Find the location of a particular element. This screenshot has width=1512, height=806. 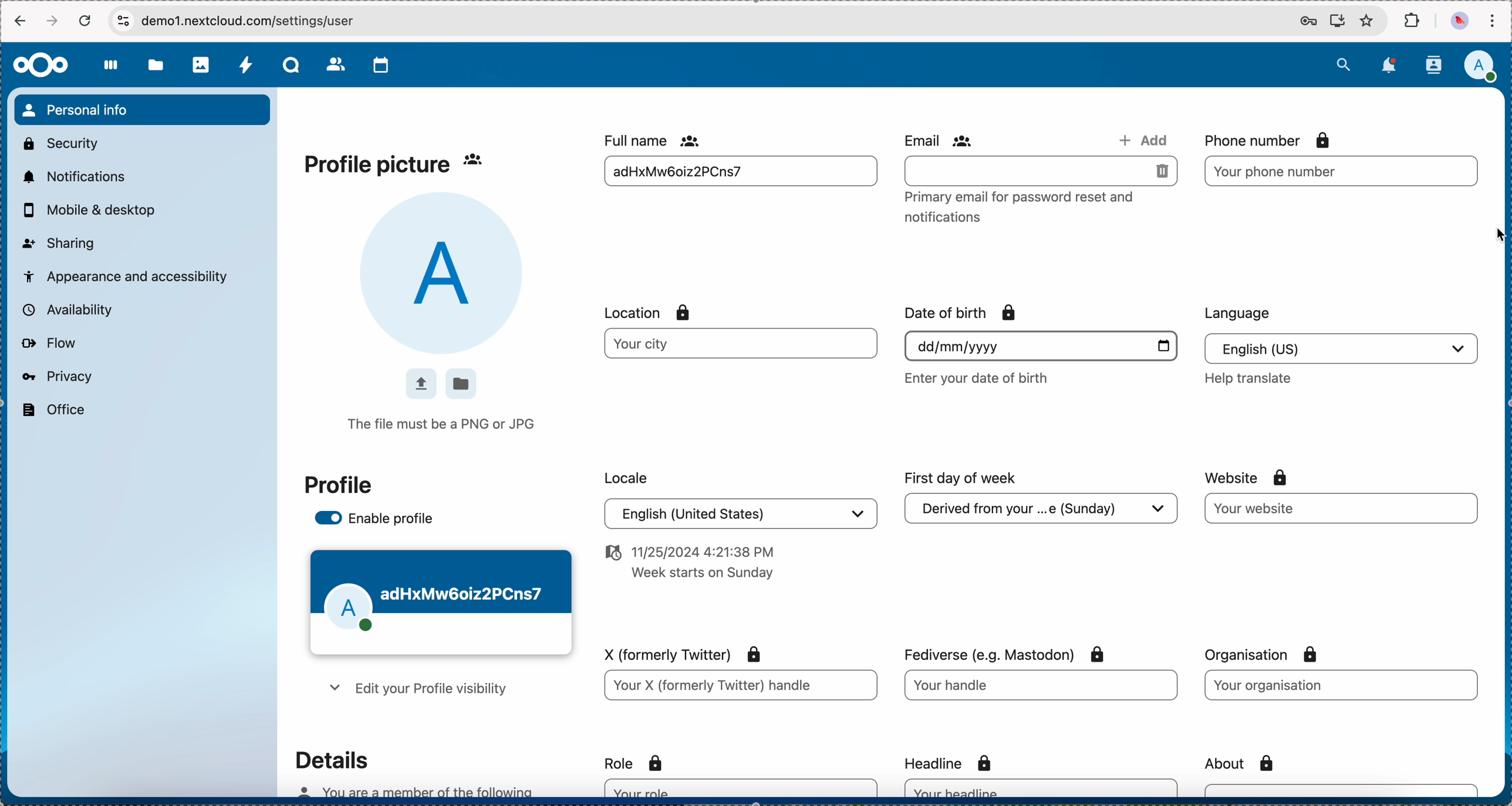

description is located at coordinates (413, 791).